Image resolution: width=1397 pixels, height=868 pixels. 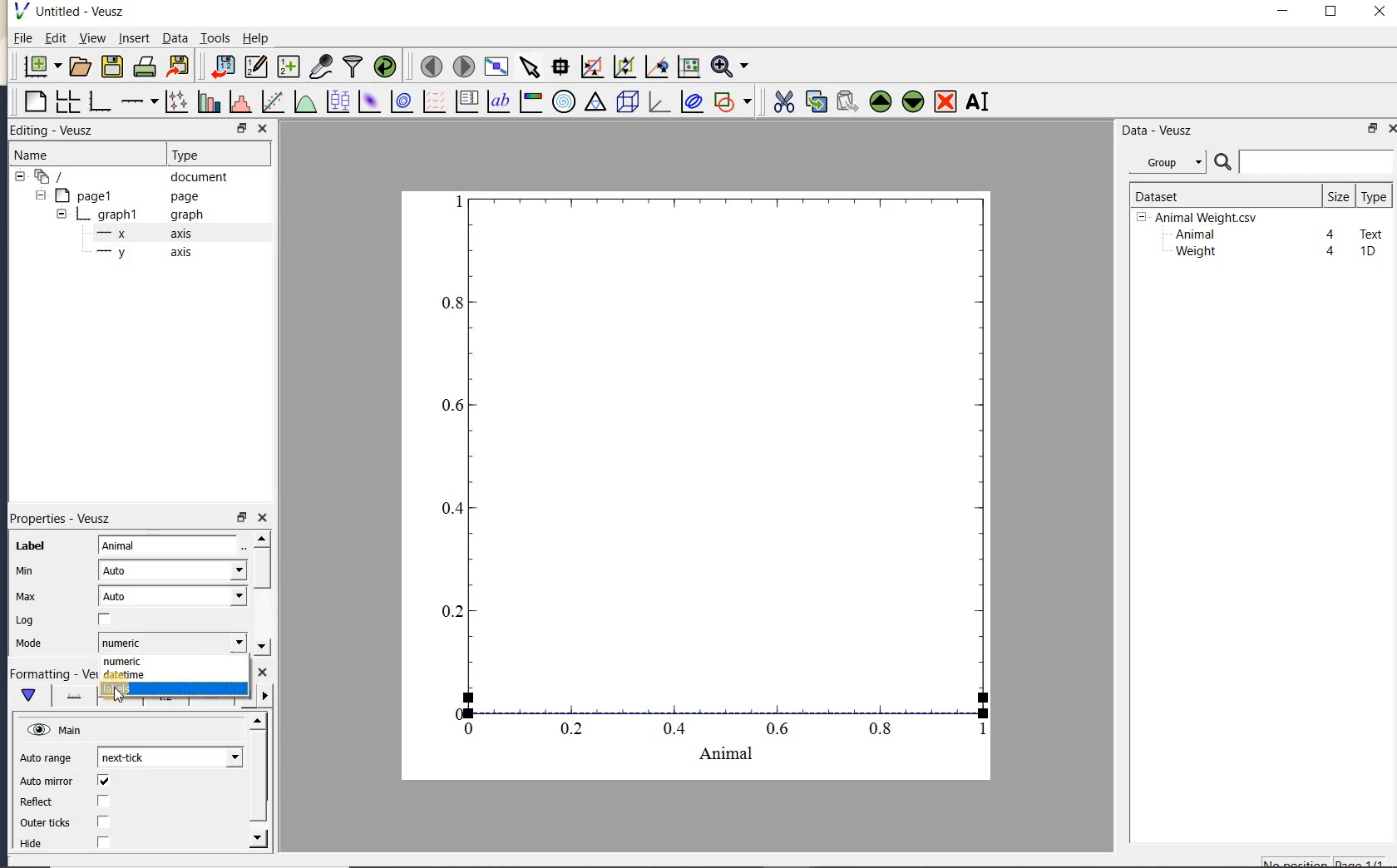 I want to click on add a shape to the plot, so click(x=732, y=101).